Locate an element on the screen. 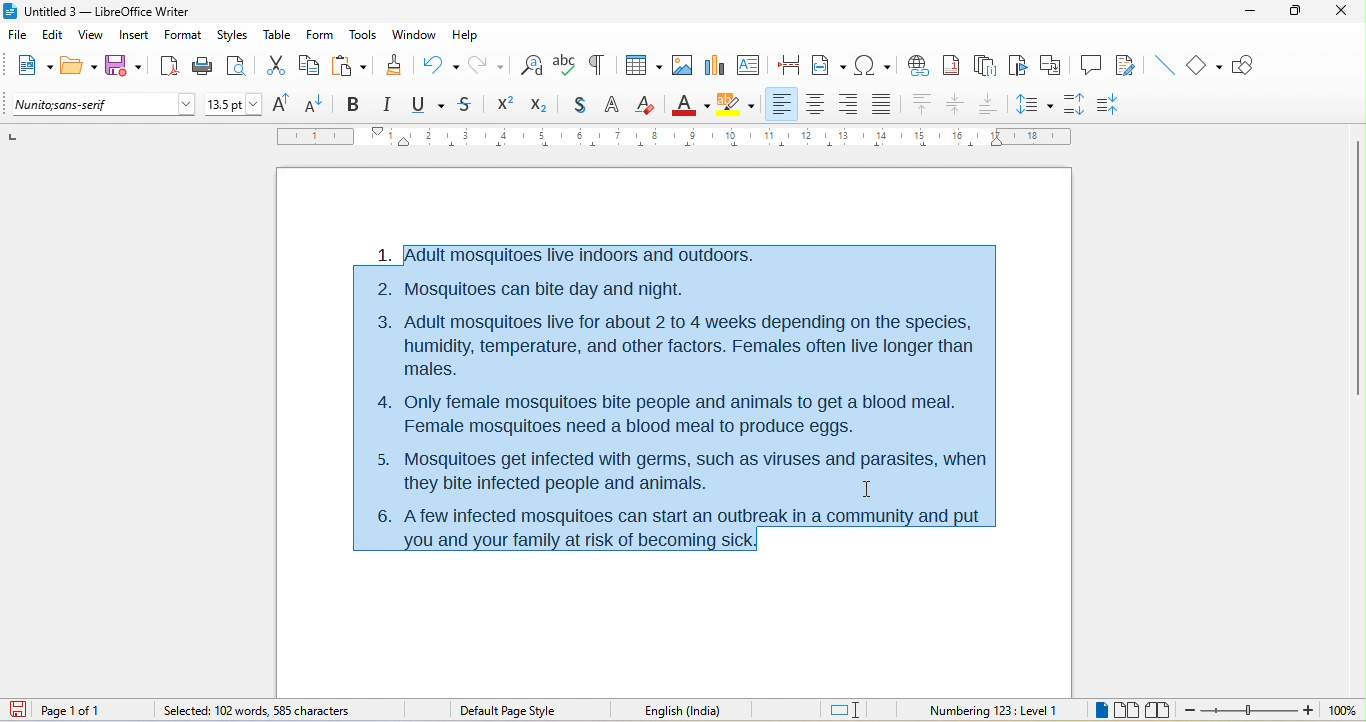 Image resolution: width=1366 pixels, height=722 pixels. format is located at coordinates (184, 36).